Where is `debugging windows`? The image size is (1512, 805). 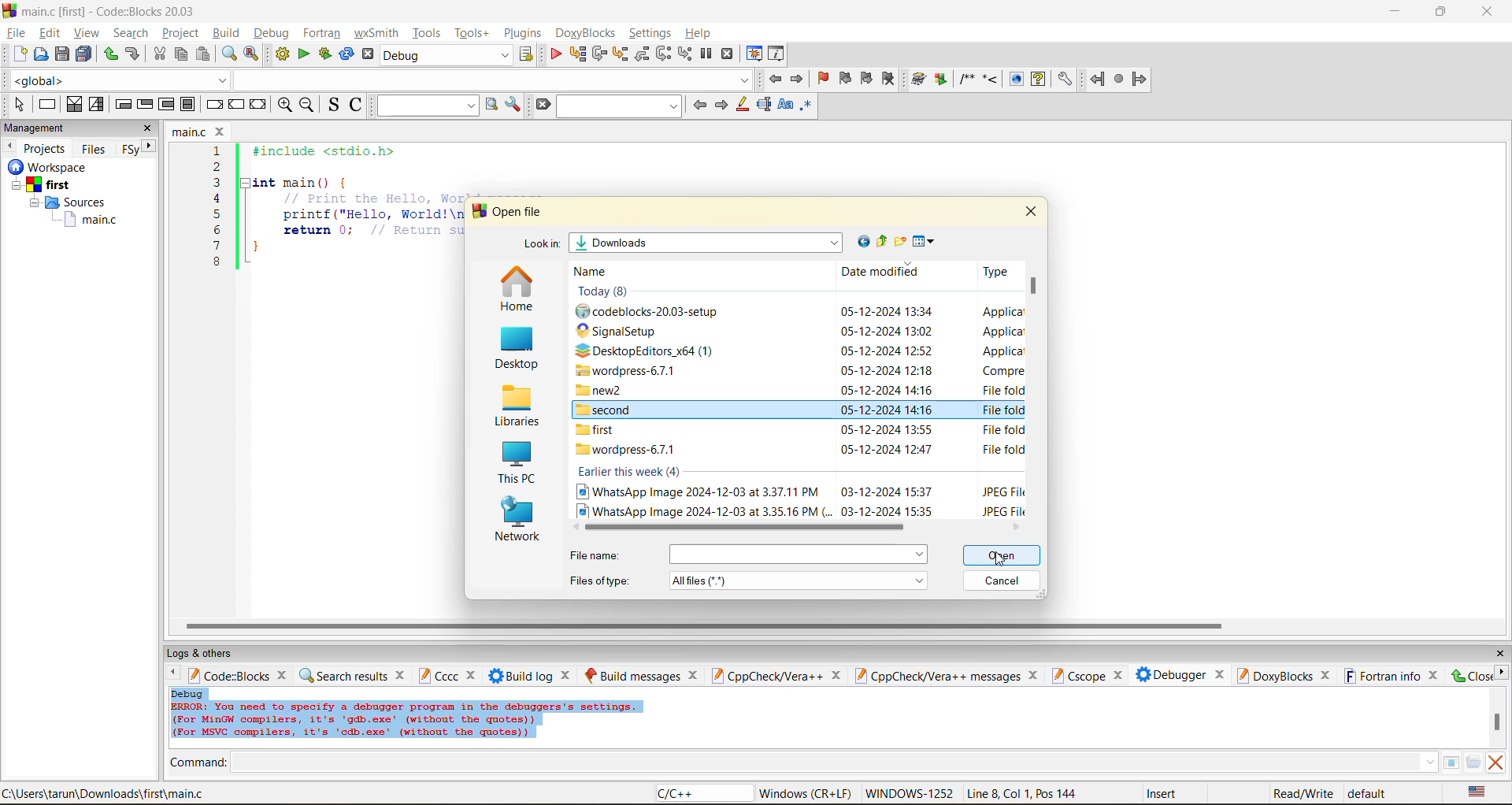 debugging windows is located at coordinates (754, 55).